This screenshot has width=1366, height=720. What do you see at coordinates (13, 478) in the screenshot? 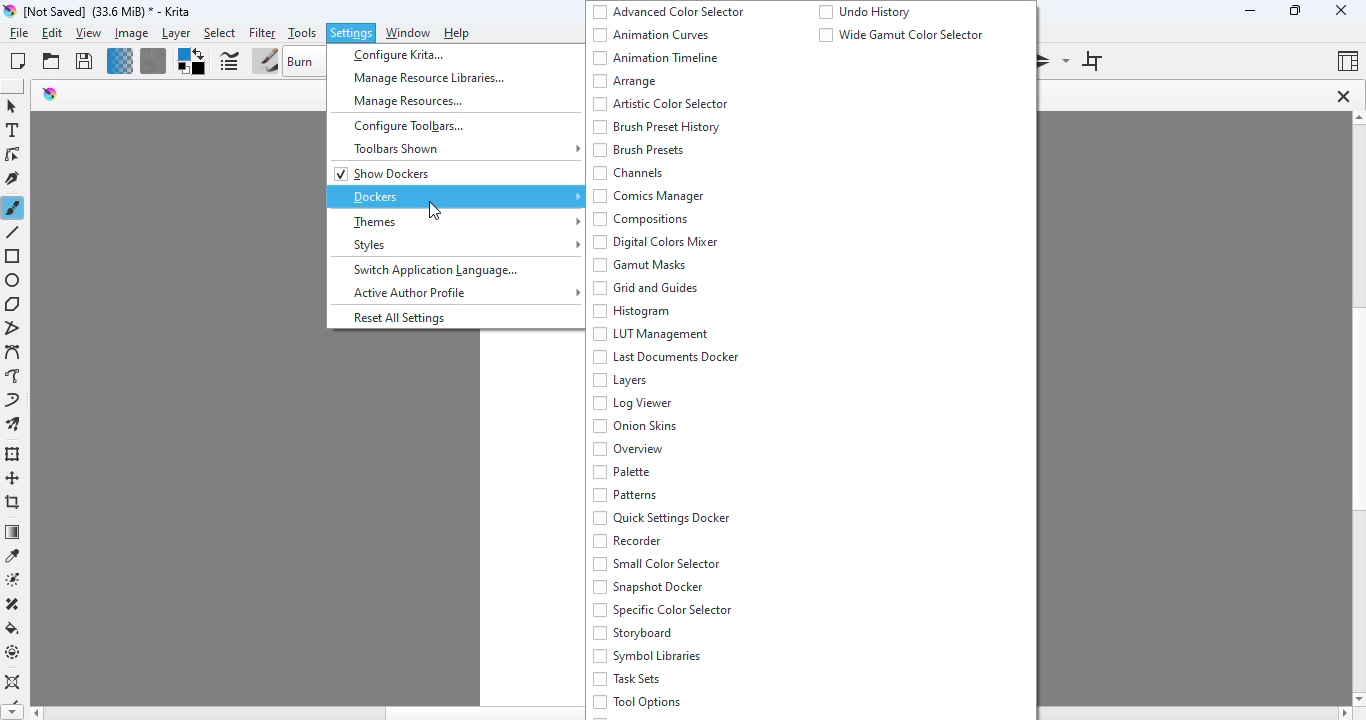
I see `move a layer` at bounding box center [13, 478].